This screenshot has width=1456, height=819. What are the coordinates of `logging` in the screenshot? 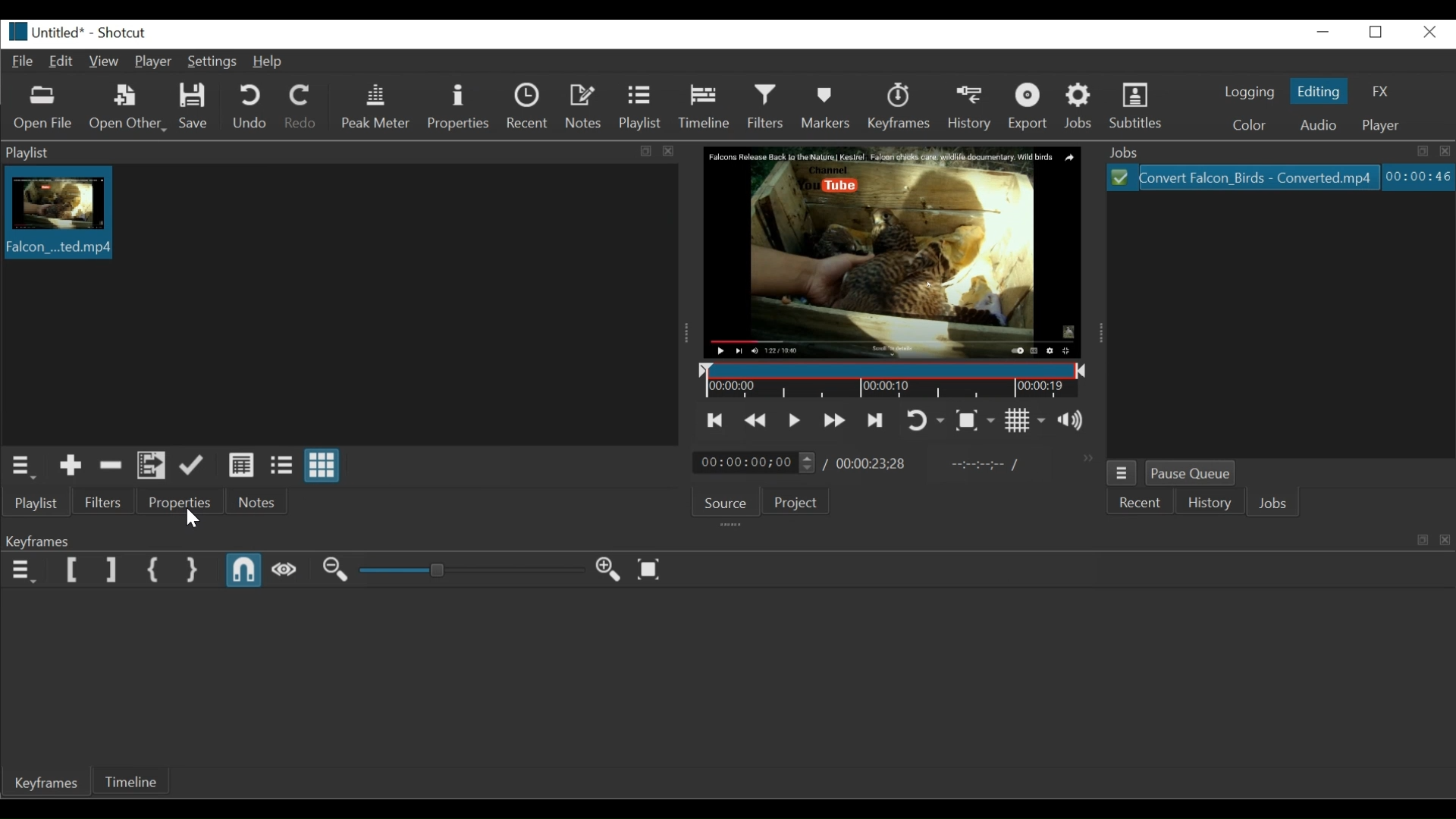 It's located at (1247, 93).